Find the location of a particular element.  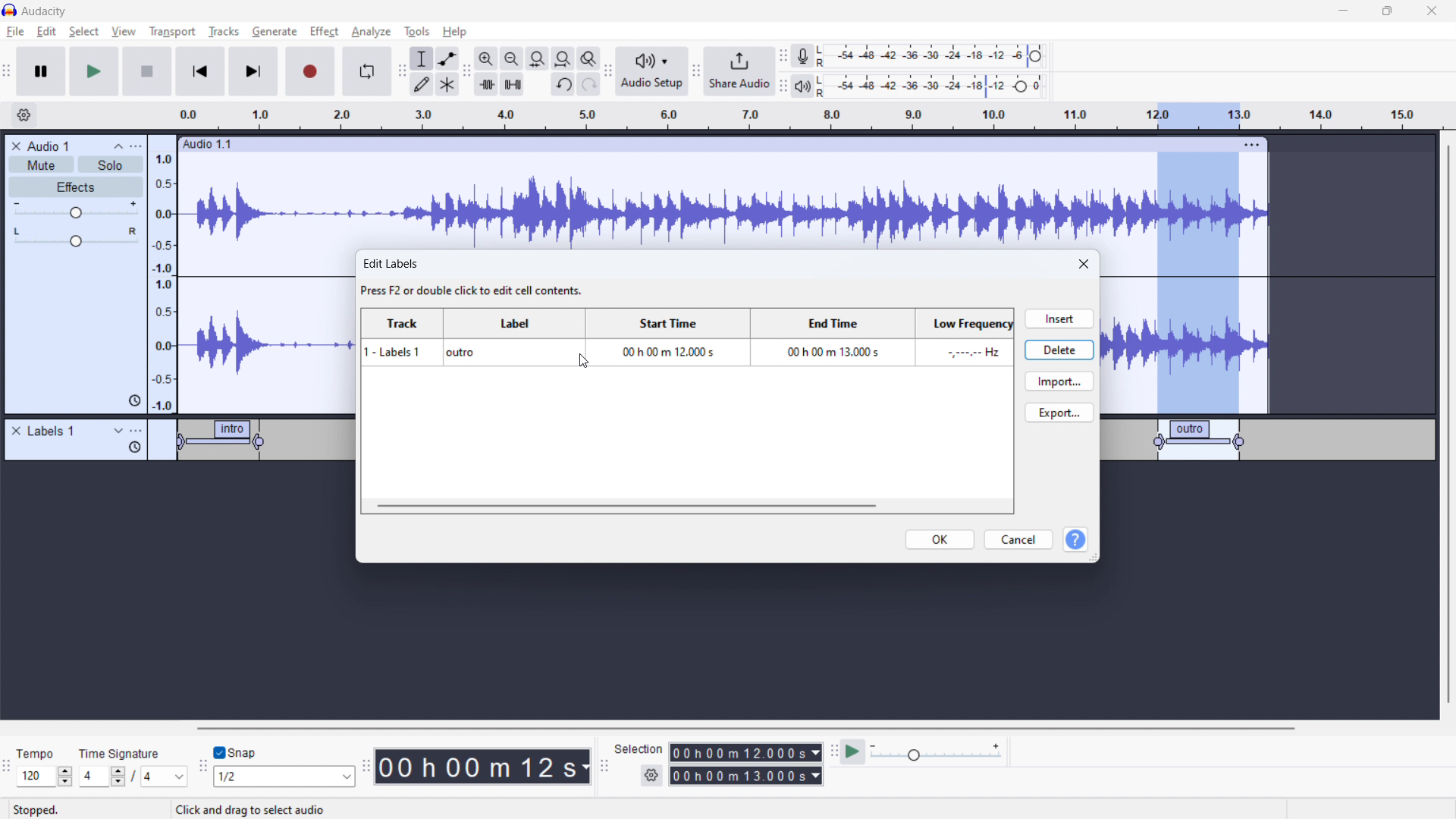

silence audio selection is located at coordinates (513, 84).